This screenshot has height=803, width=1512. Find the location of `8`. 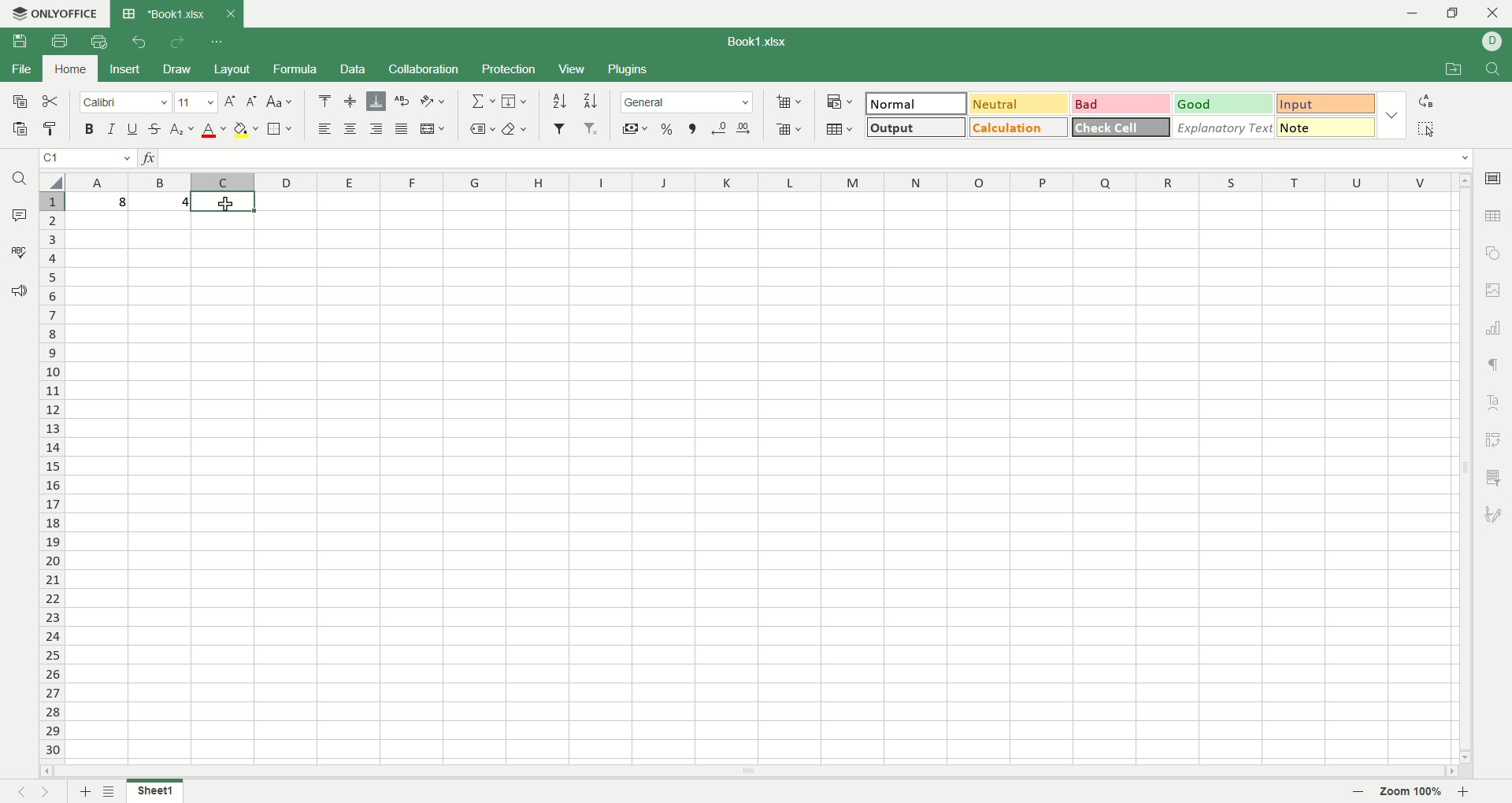

8 is located at coordinates (96, 202).